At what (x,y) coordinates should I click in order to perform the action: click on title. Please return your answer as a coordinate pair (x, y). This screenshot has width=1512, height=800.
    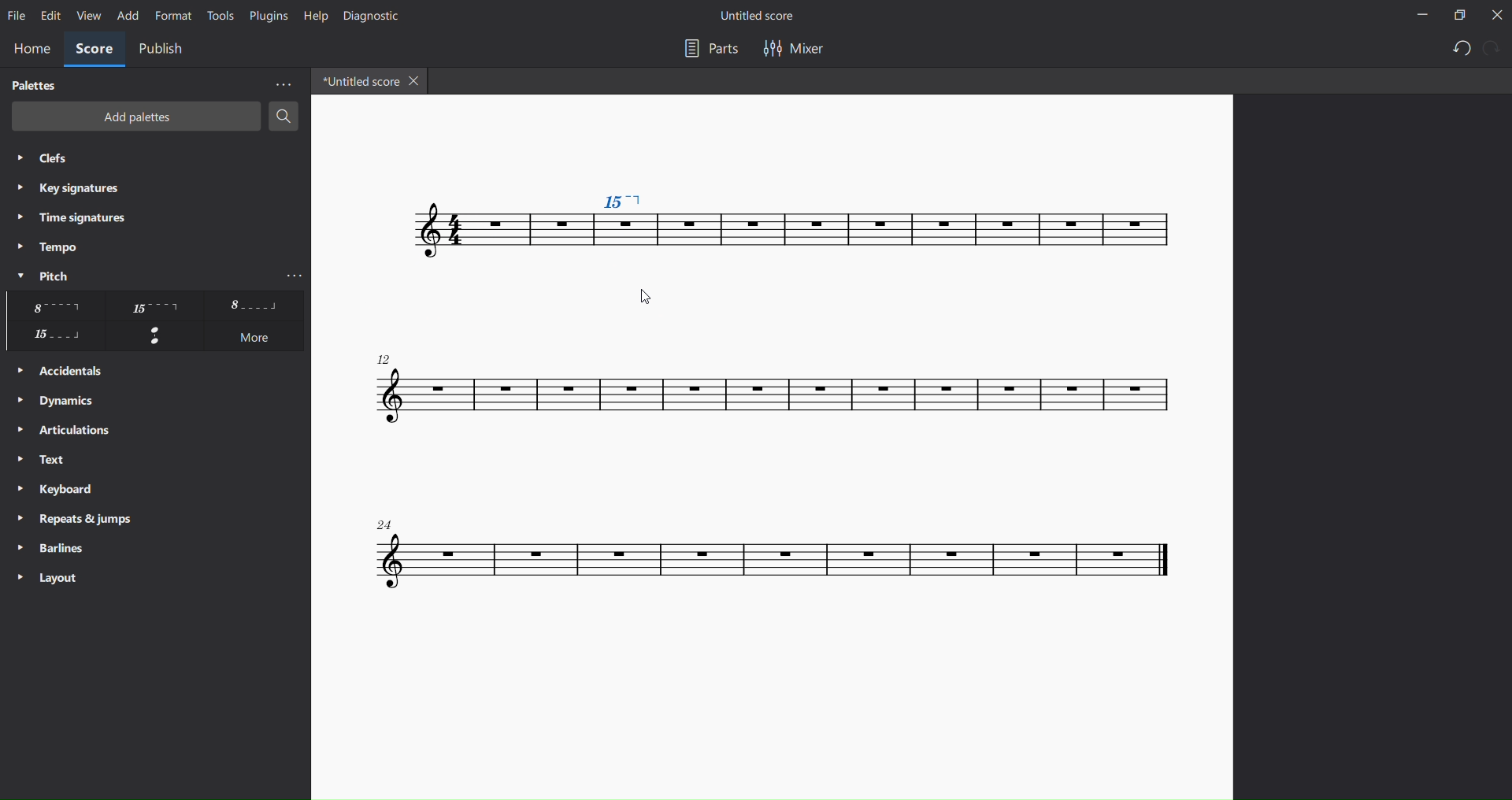
    Looking at the image, I should click on (358, 80).